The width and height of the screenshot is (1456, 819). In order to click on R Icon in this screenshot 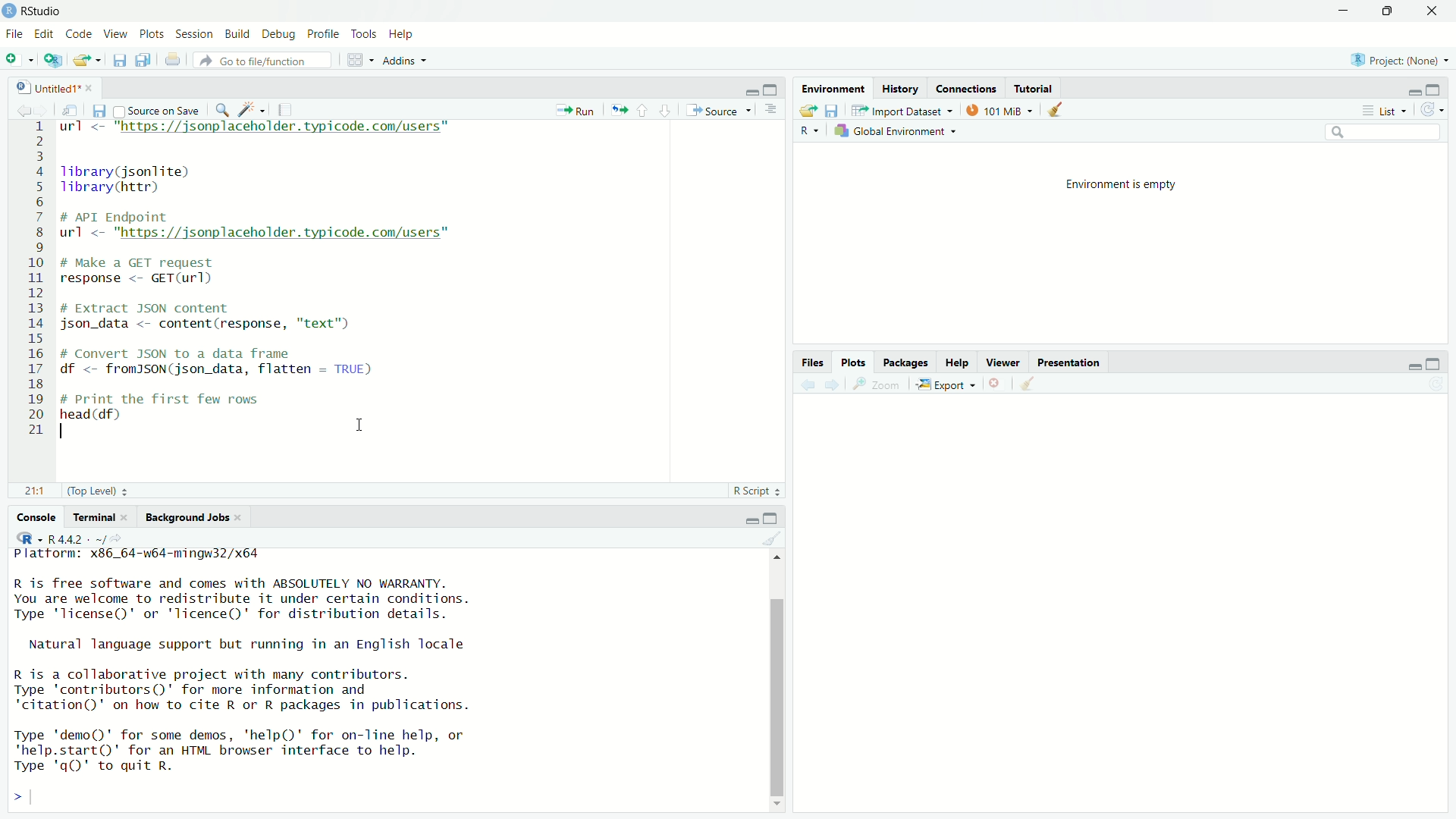, I will do `click(30, 538)`.